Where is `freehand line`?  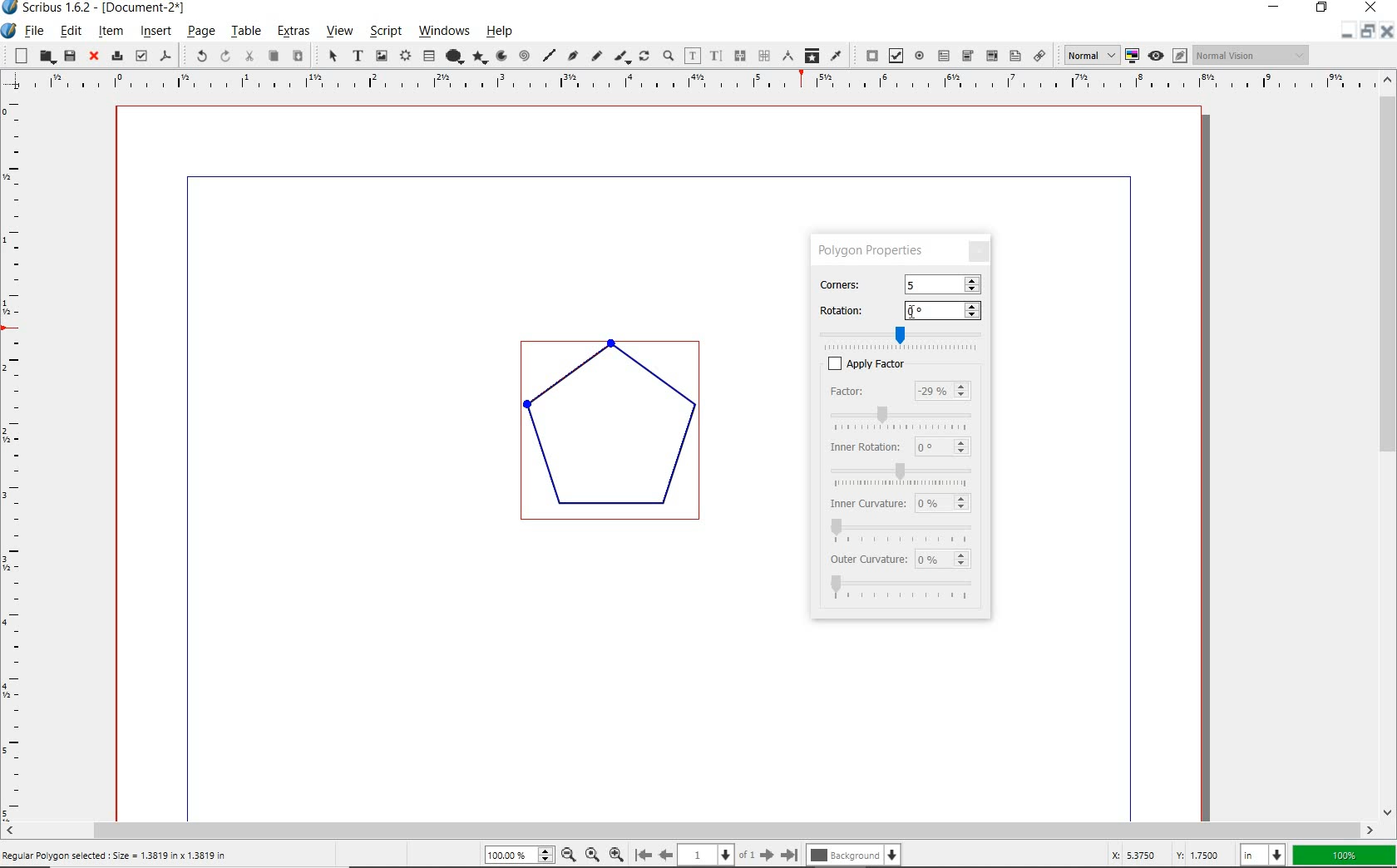
freehand line is located at coordinates (596, 57).